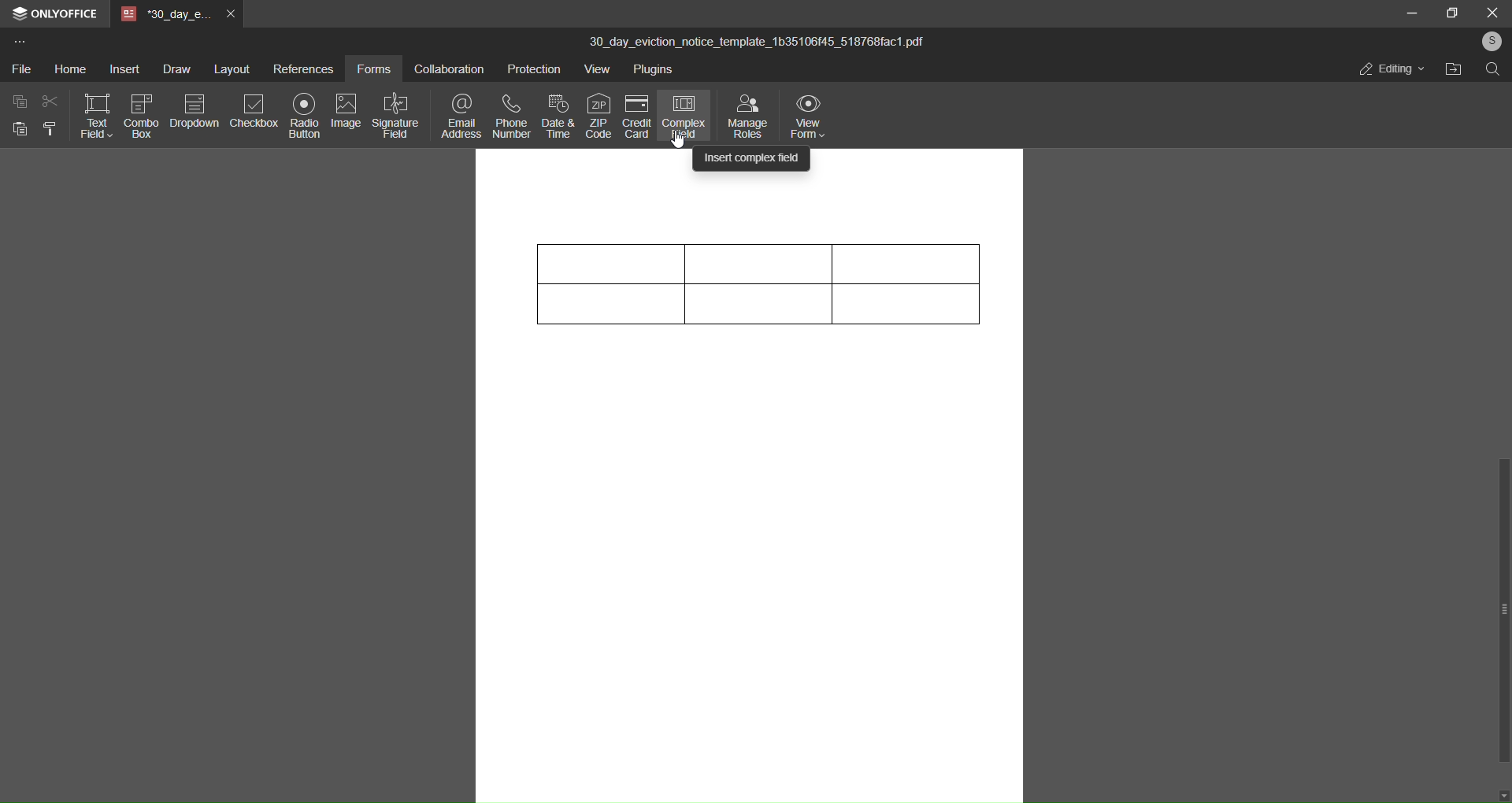  Describe the element at coordinates (395, 114) in the screenshot. I see `signature` at that location.